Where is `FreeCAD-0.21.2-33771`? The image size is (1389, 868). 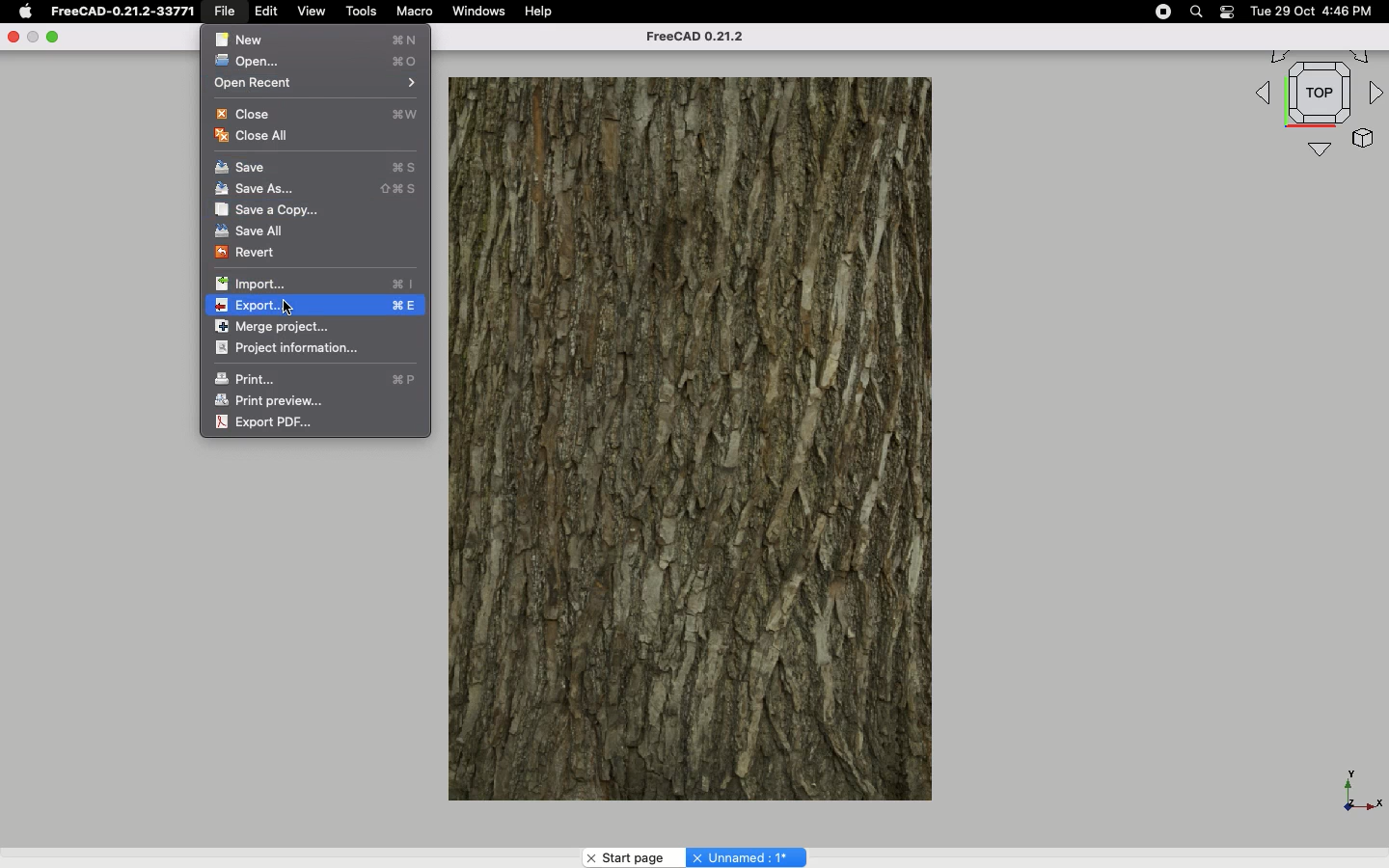
FreeCAD-0.21.2-33771 is located at coordinates (121, 12).